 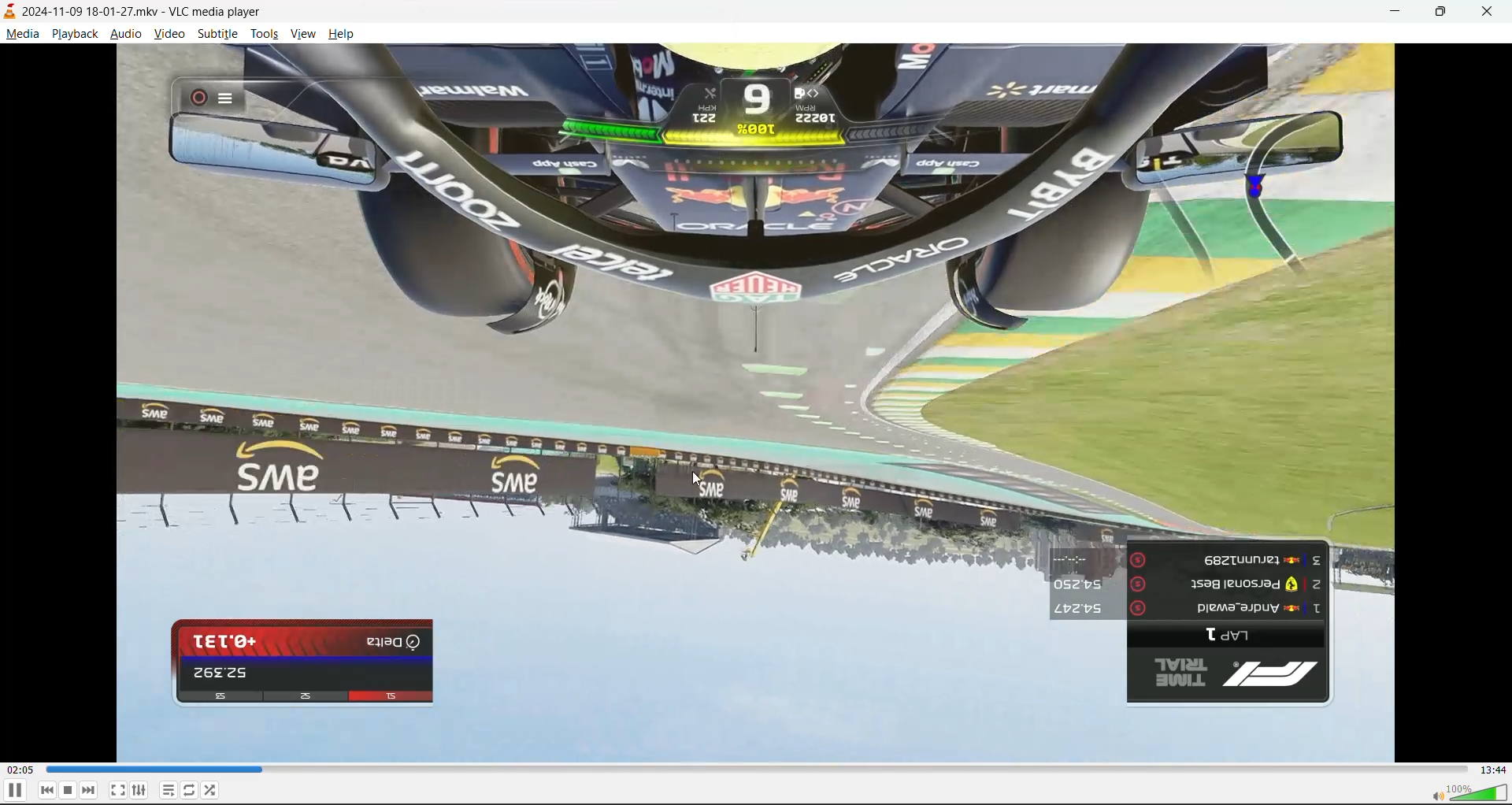 What do you see at coordinates (134, 9) in the screenshot?
I see `track and app name` at bounding box center [134, 9].